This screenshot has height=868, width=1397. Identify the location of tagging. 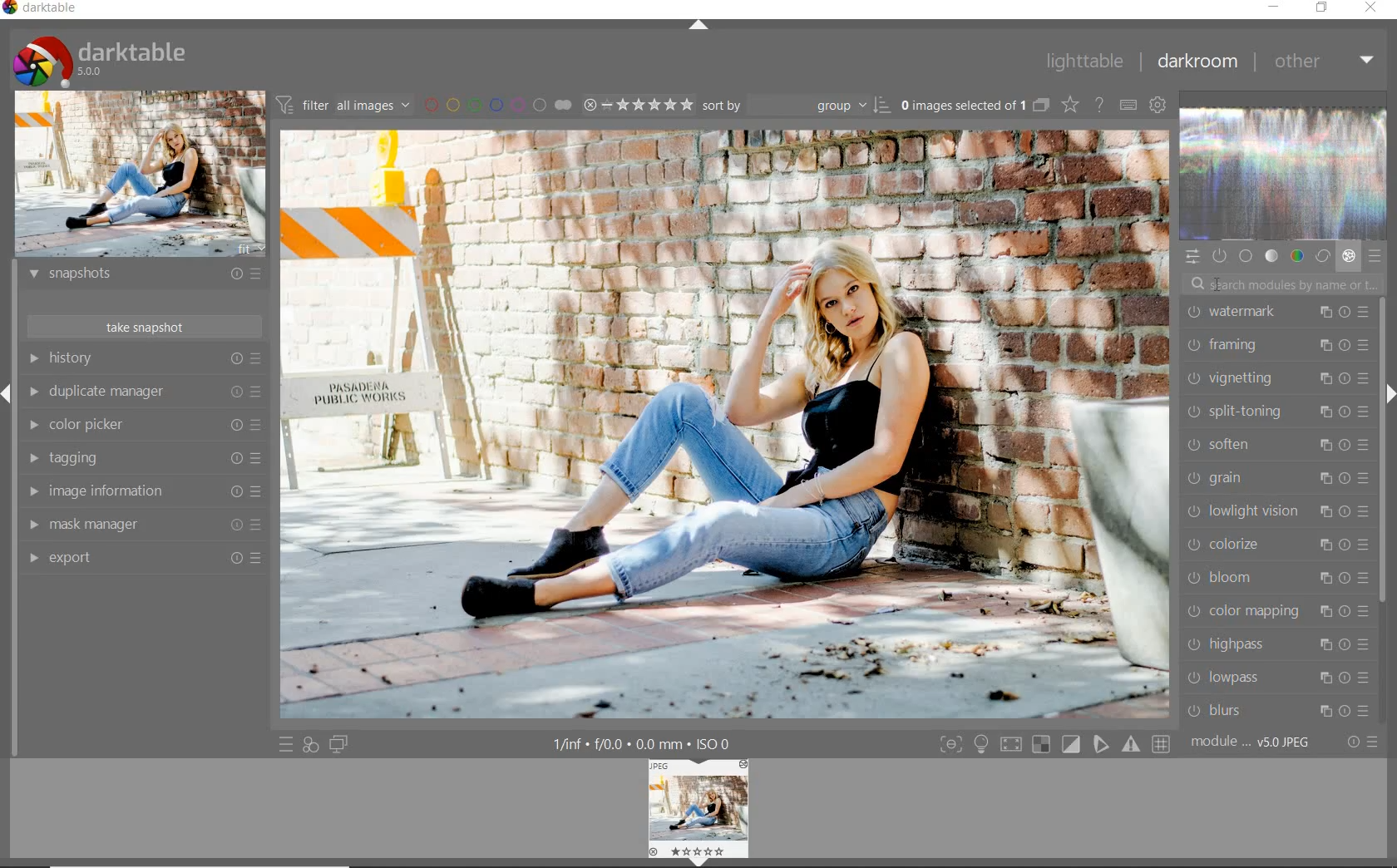
(144, 457).